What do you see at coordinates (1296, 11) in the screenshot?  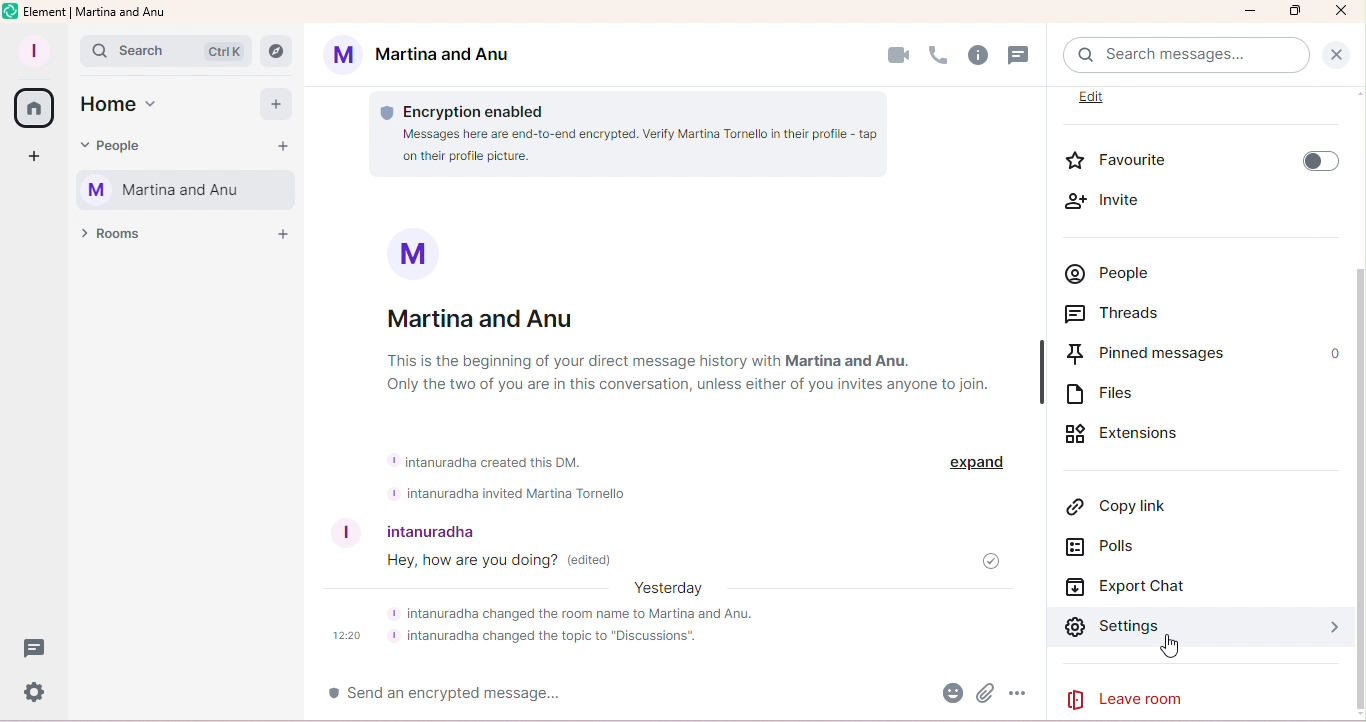 I see `Maximize` at bounding box center [1296, 11].